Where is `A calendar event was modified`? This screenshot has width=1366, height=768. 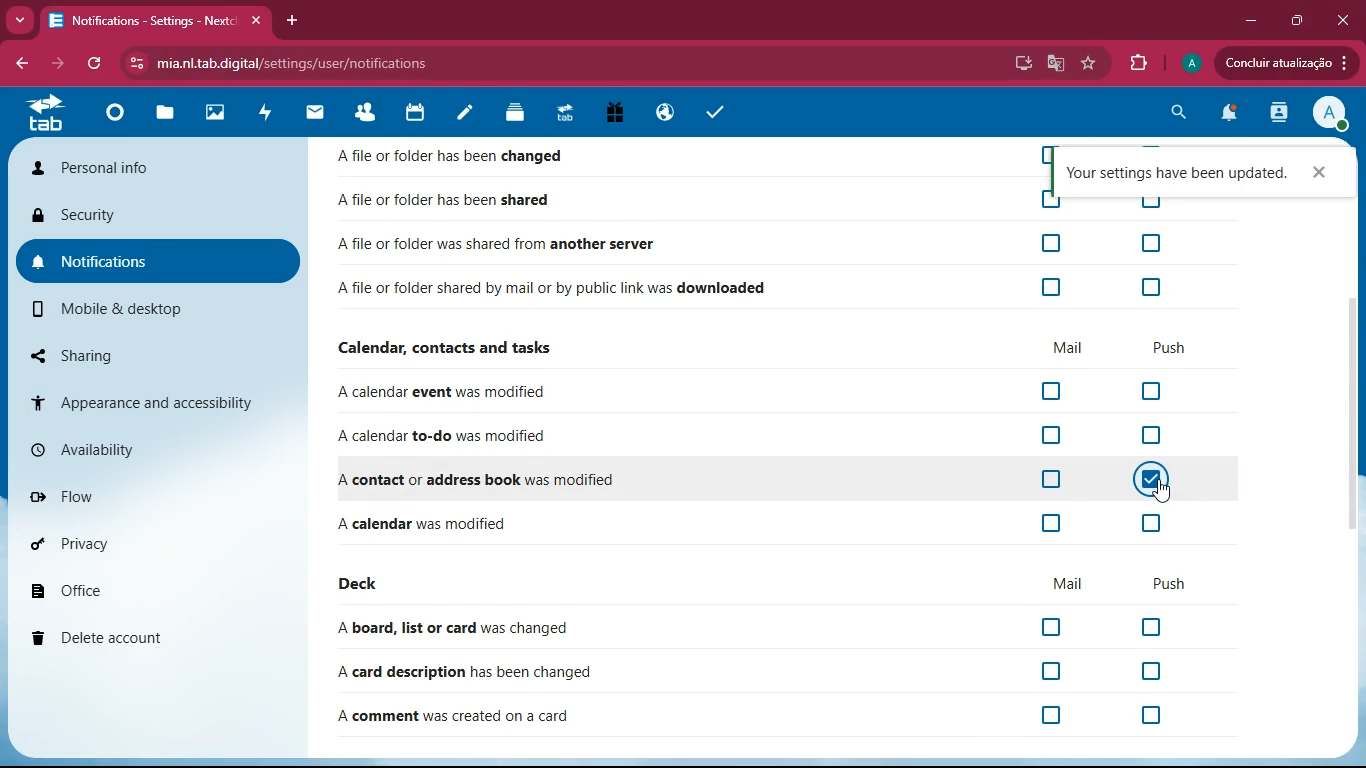 A calendar event was modified is located at coordinates (446, 396).